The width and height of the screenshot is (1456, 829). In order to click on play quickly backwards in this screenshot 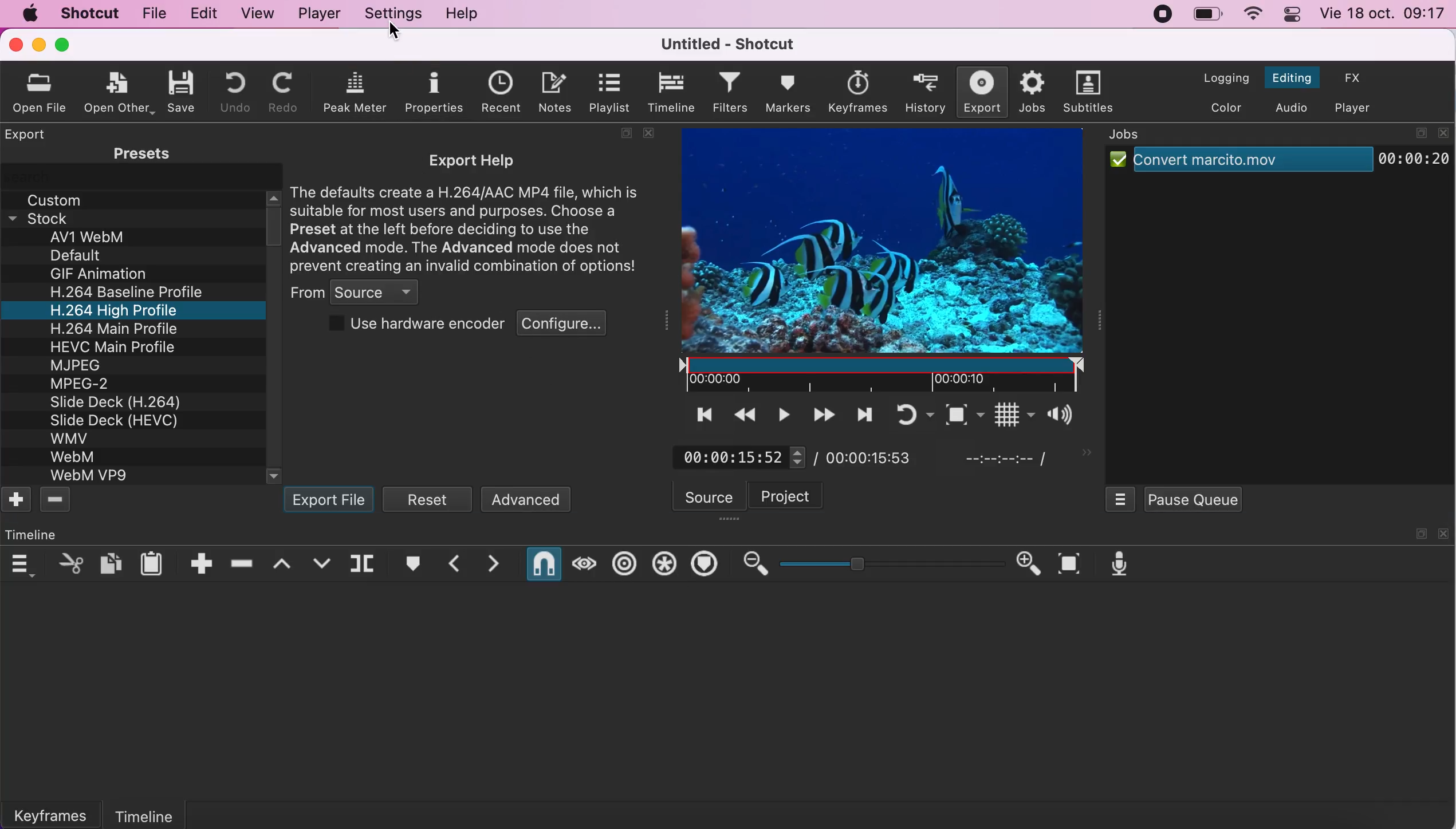, I will do `click(743, 414)`.